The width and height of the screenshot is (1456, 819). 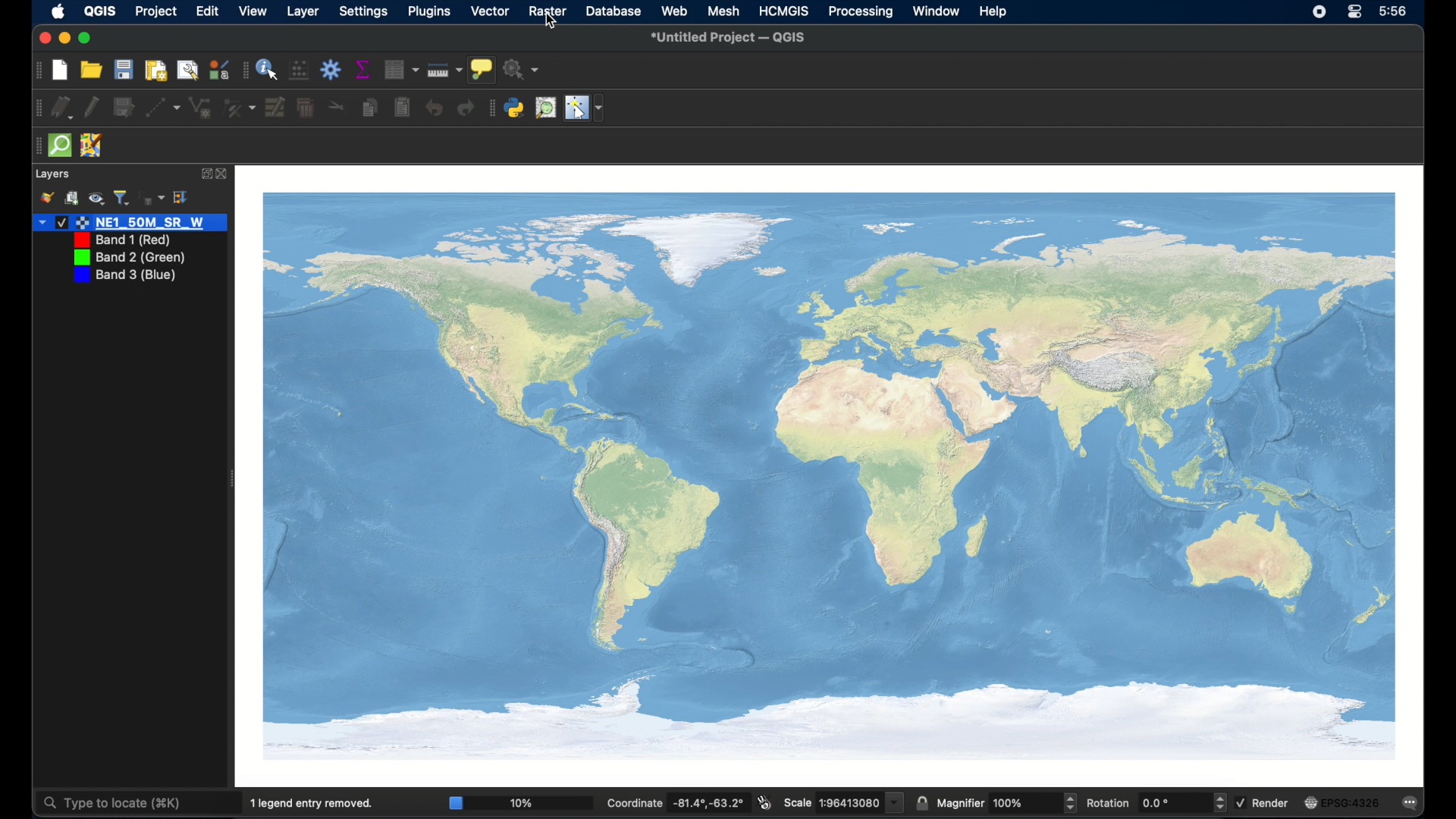 What do you see at coordinates (306, 106) in the screenshot?
I see `delete selected` at bounding box center [306, 106].